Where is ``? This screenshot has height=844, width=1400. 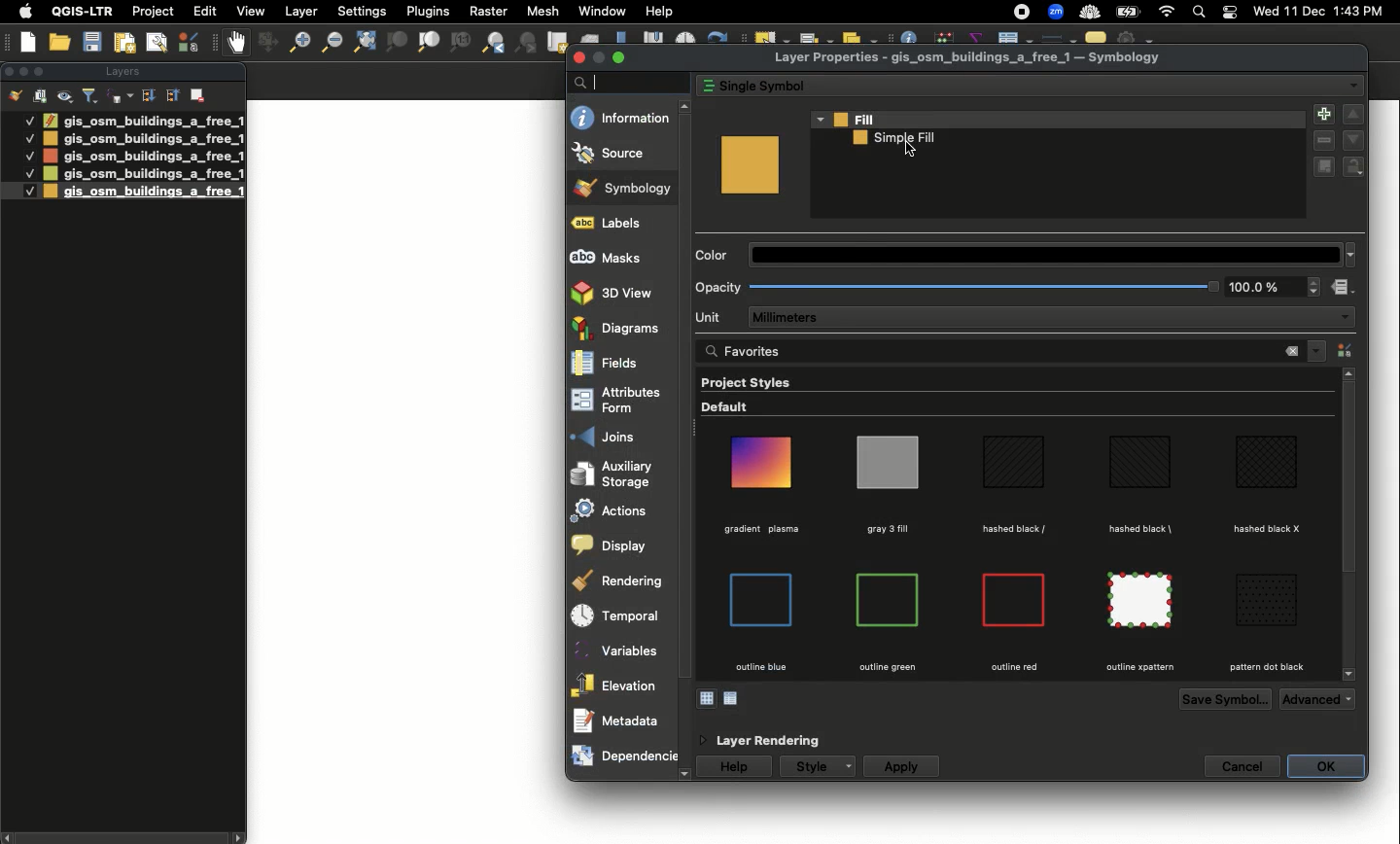
 is located at coordinates (1265, 599).